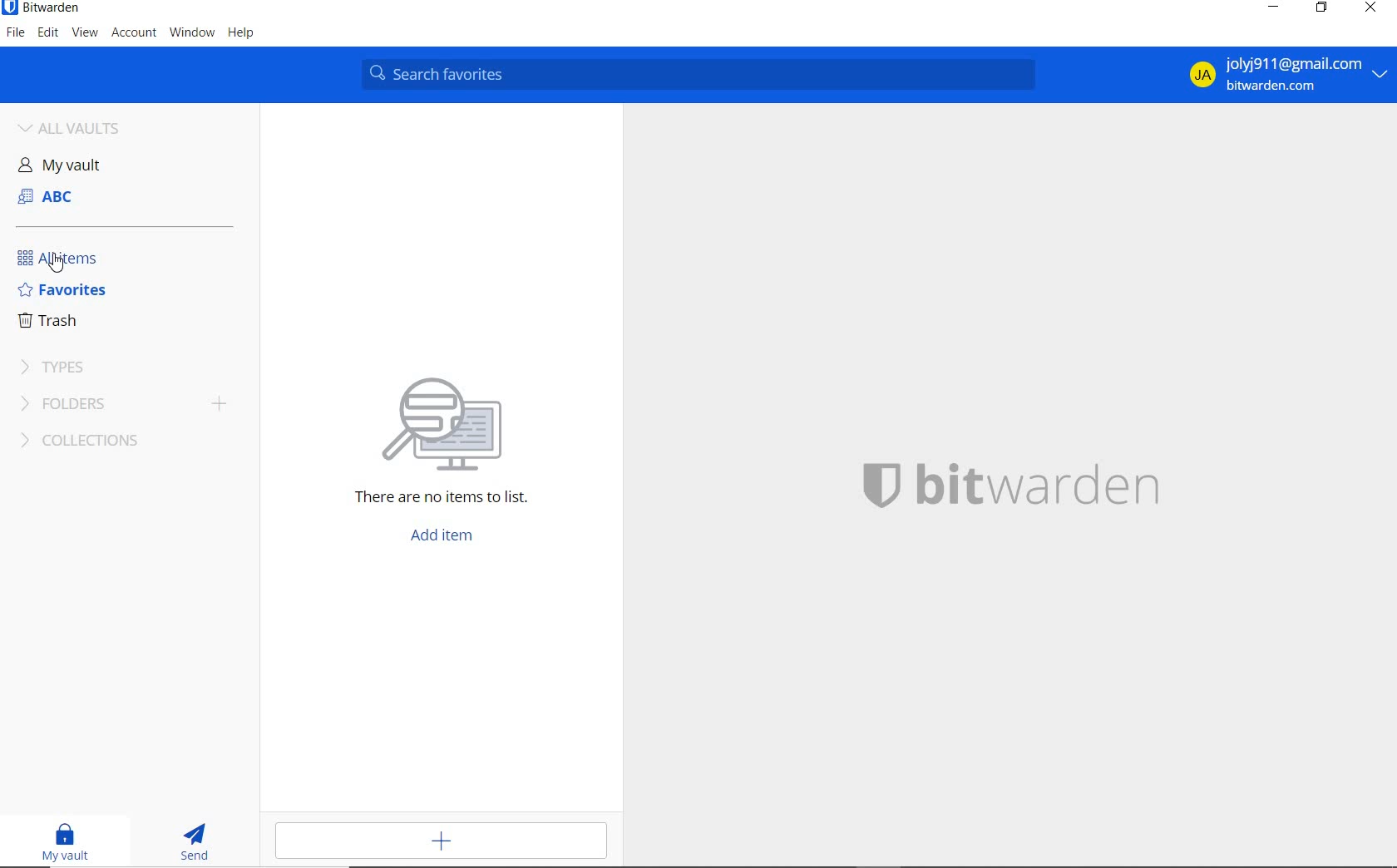  What do you see at coordinates (98, 406) in the screenshot?
I see `FOLDERS` at bounding box center [98, 406].